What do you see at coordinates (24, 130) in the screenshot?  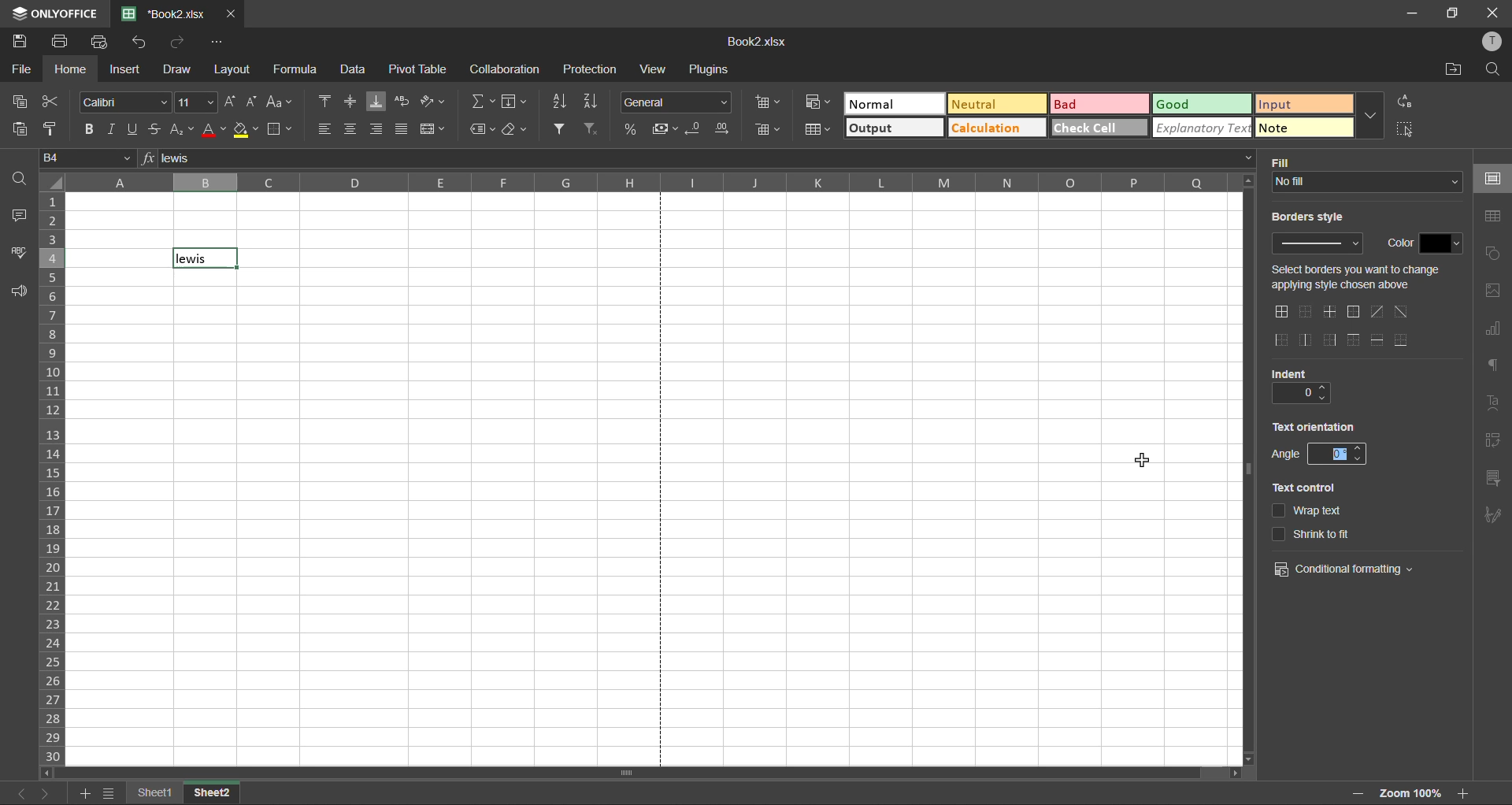 I see `paste` at bounding box center [24, 130].